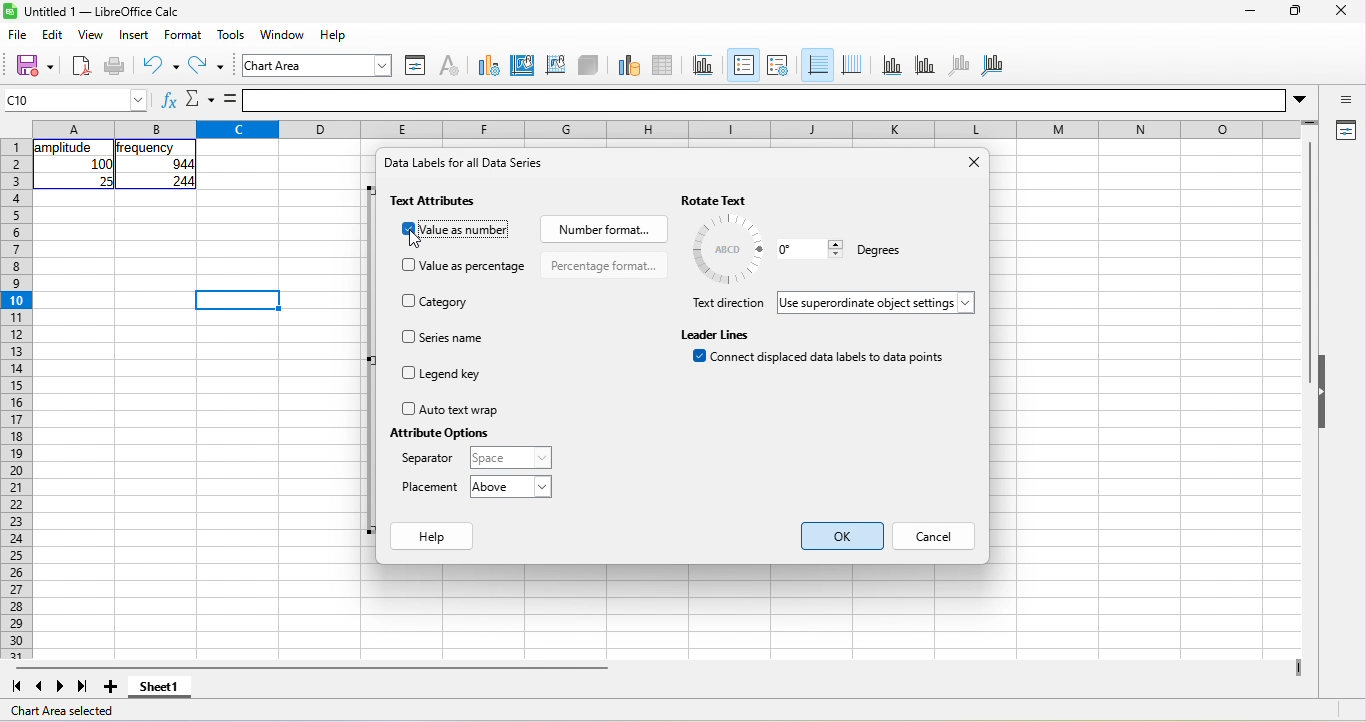 This screenshot has width=1366, height=722. Describe the element at coordinates (28, 65) in the screenshot. I see `save` at that location.